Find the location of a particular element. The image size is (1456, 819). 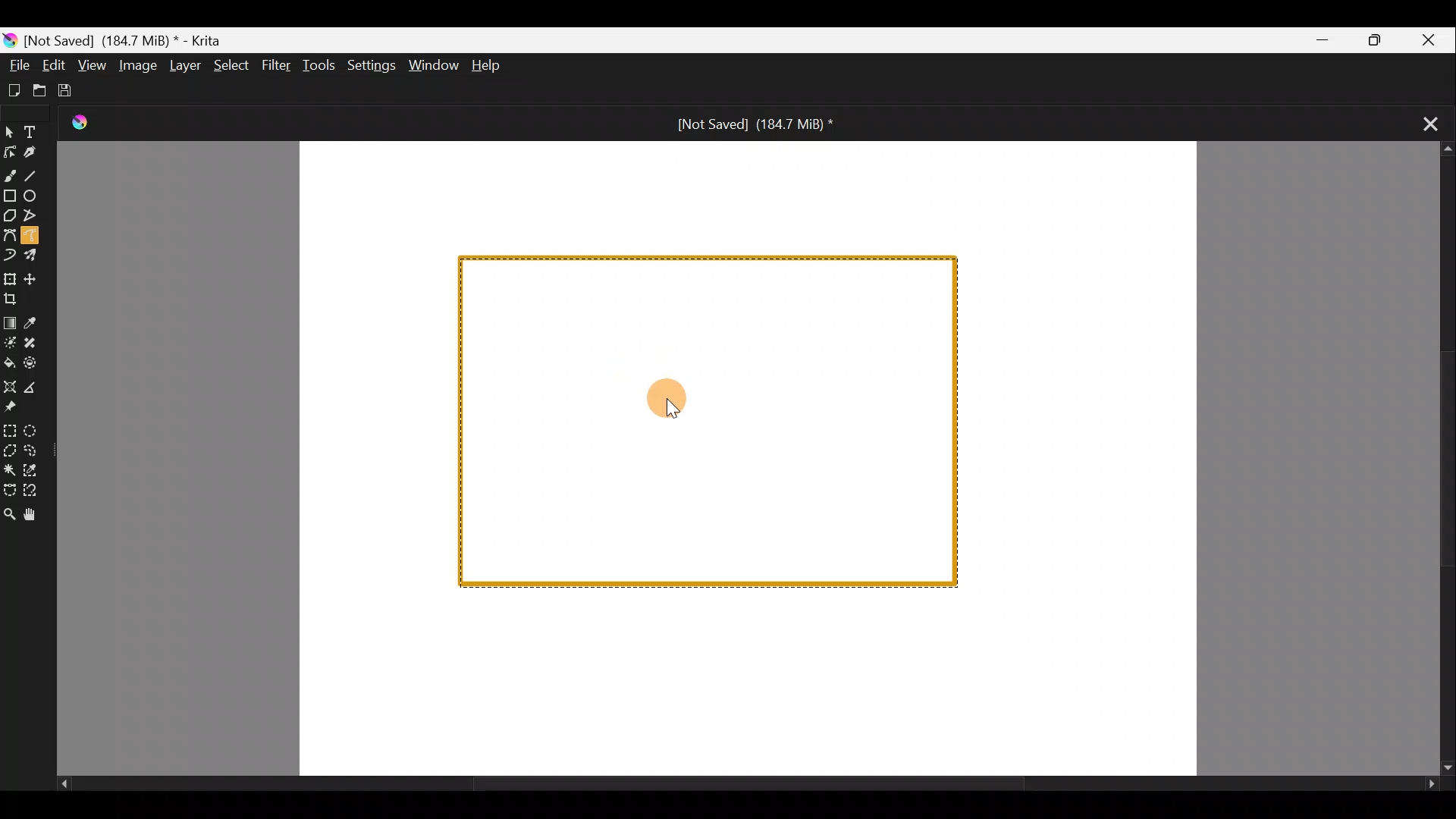

Reference images tool is located at coordinates (17, 408).